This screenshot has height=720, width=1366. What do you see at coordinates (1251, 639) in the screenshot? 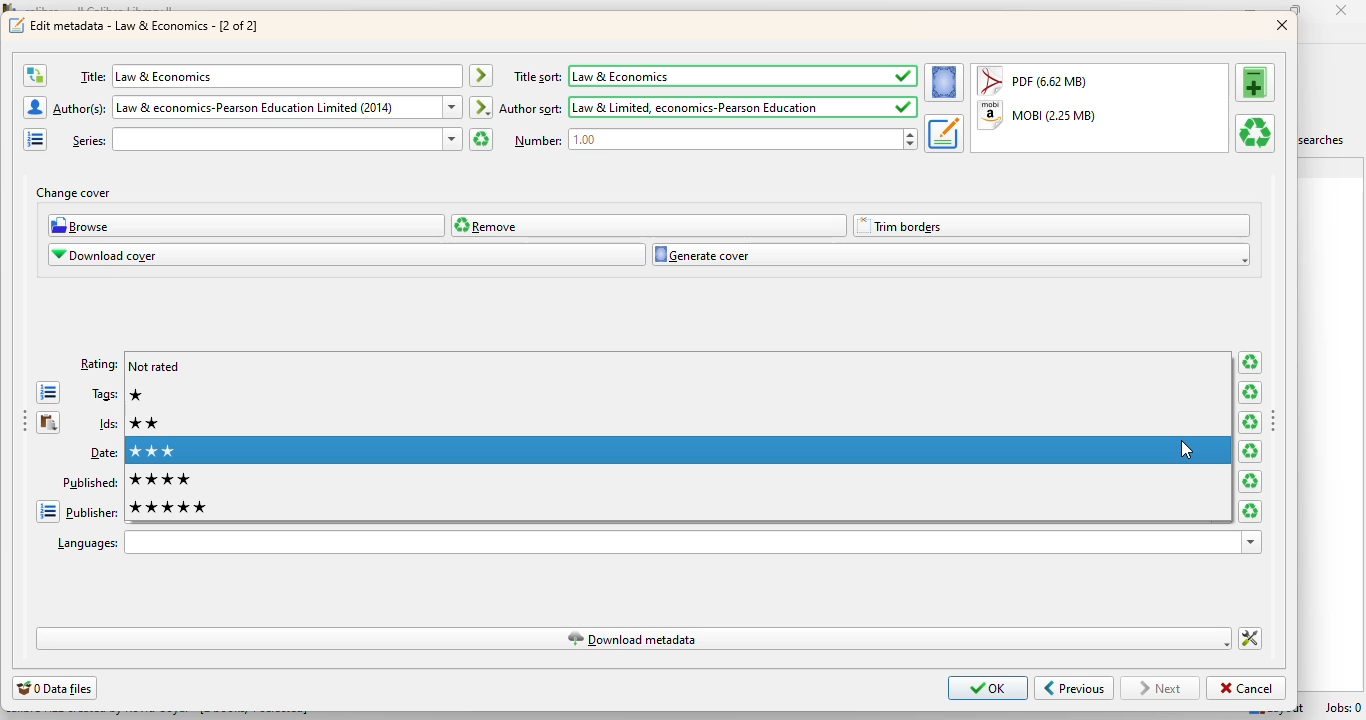
I see `change how calibre downloads metadata` at bounding box center [1251, 639].